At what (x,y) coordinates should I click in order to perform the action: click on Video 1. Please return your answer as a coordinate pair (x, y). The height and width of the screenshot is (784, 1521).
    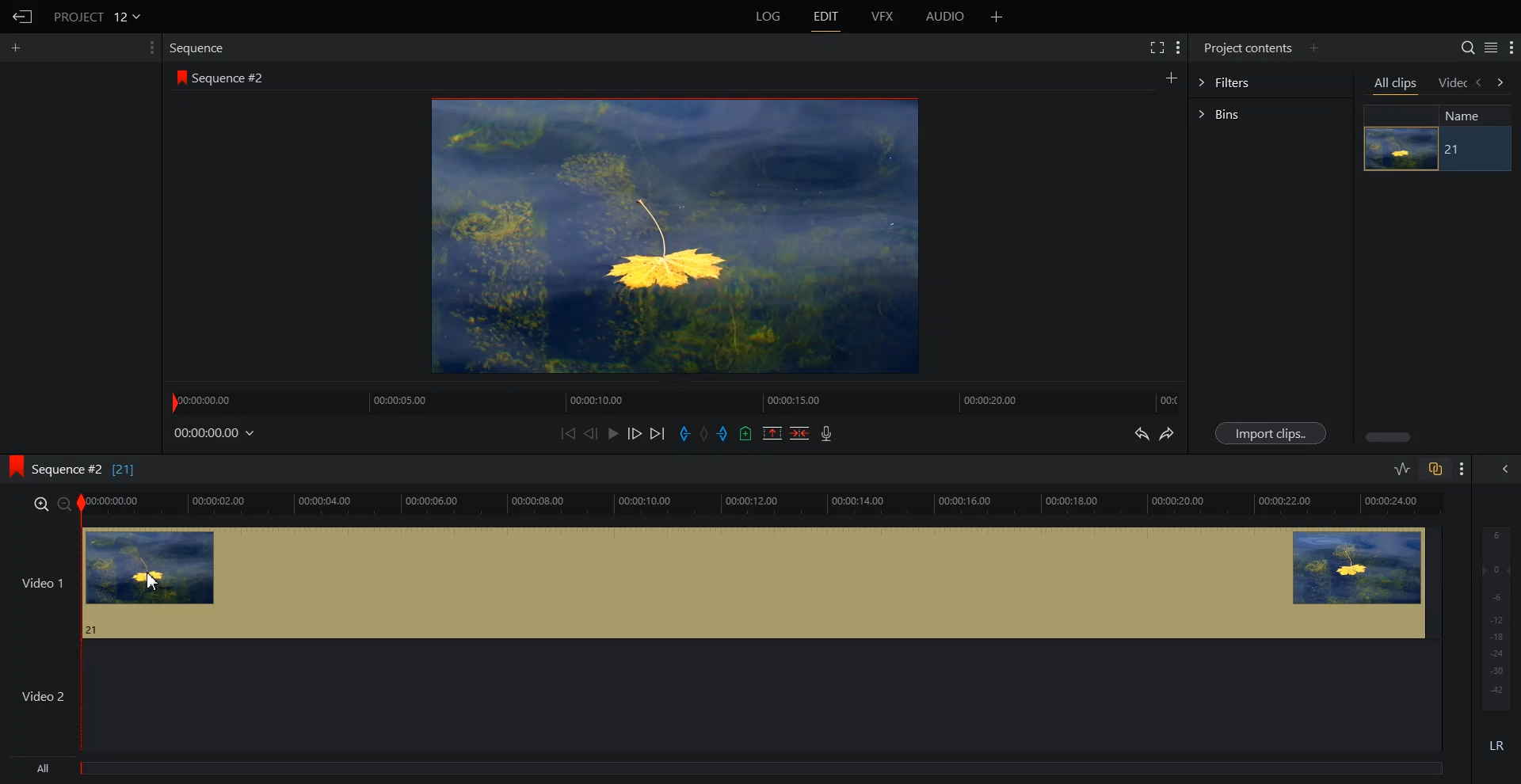
    Looking at the image, I should click on (760, 582).